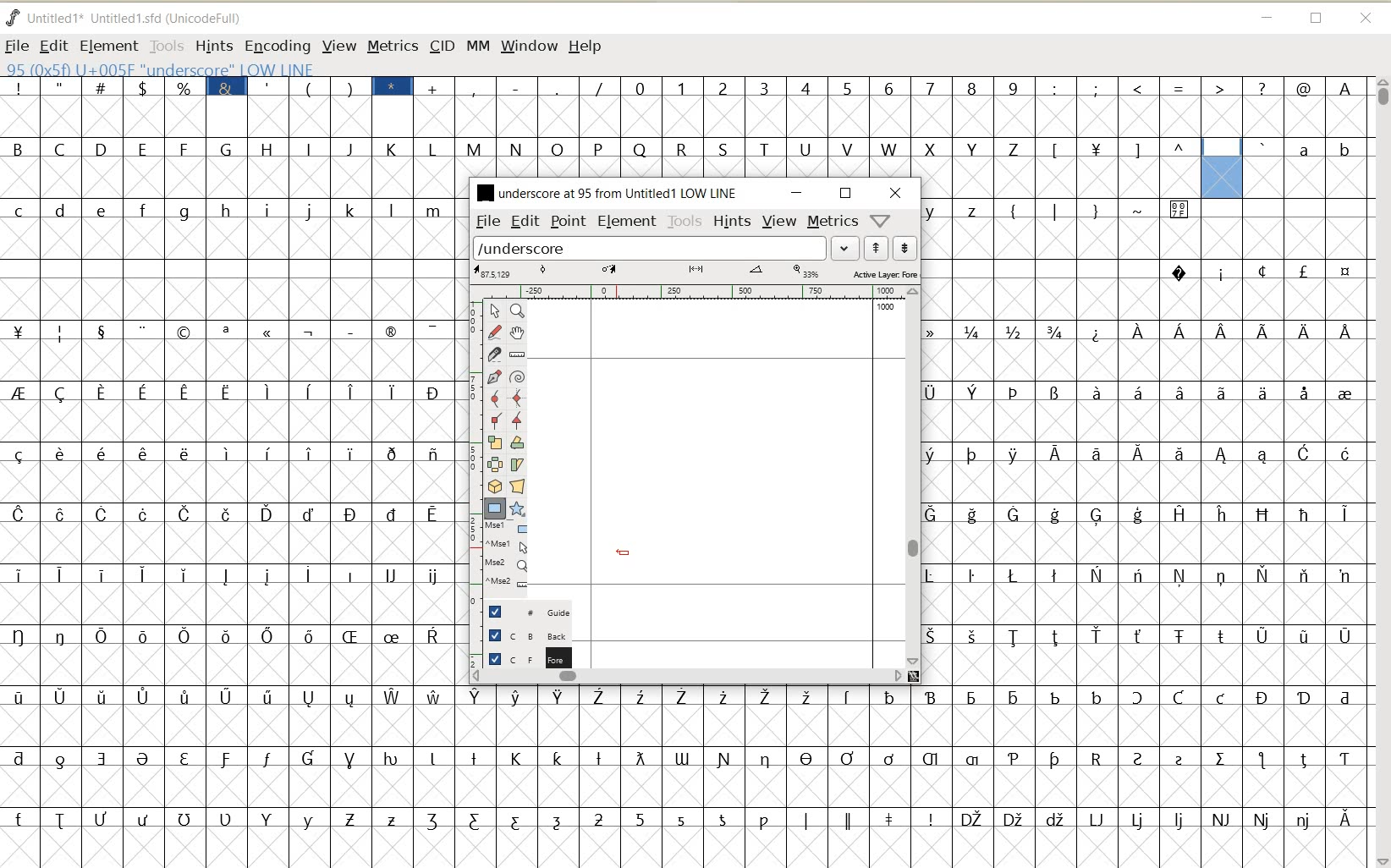 The height and width of the screenshot is (868, 1391). I want to click on GLYPHY CHARACTERS, so click(1311, 167).